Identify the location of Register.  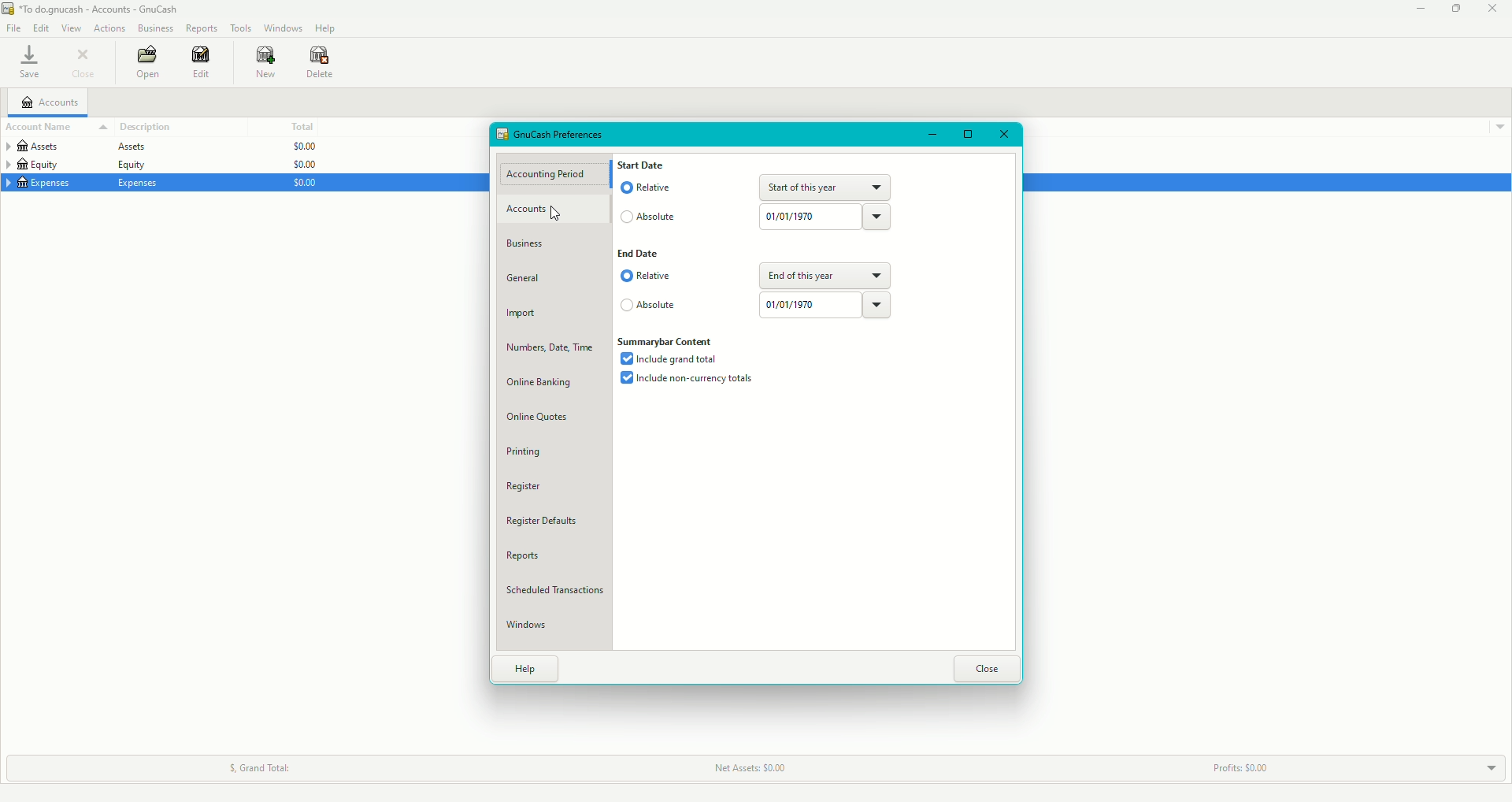
(525, 487).